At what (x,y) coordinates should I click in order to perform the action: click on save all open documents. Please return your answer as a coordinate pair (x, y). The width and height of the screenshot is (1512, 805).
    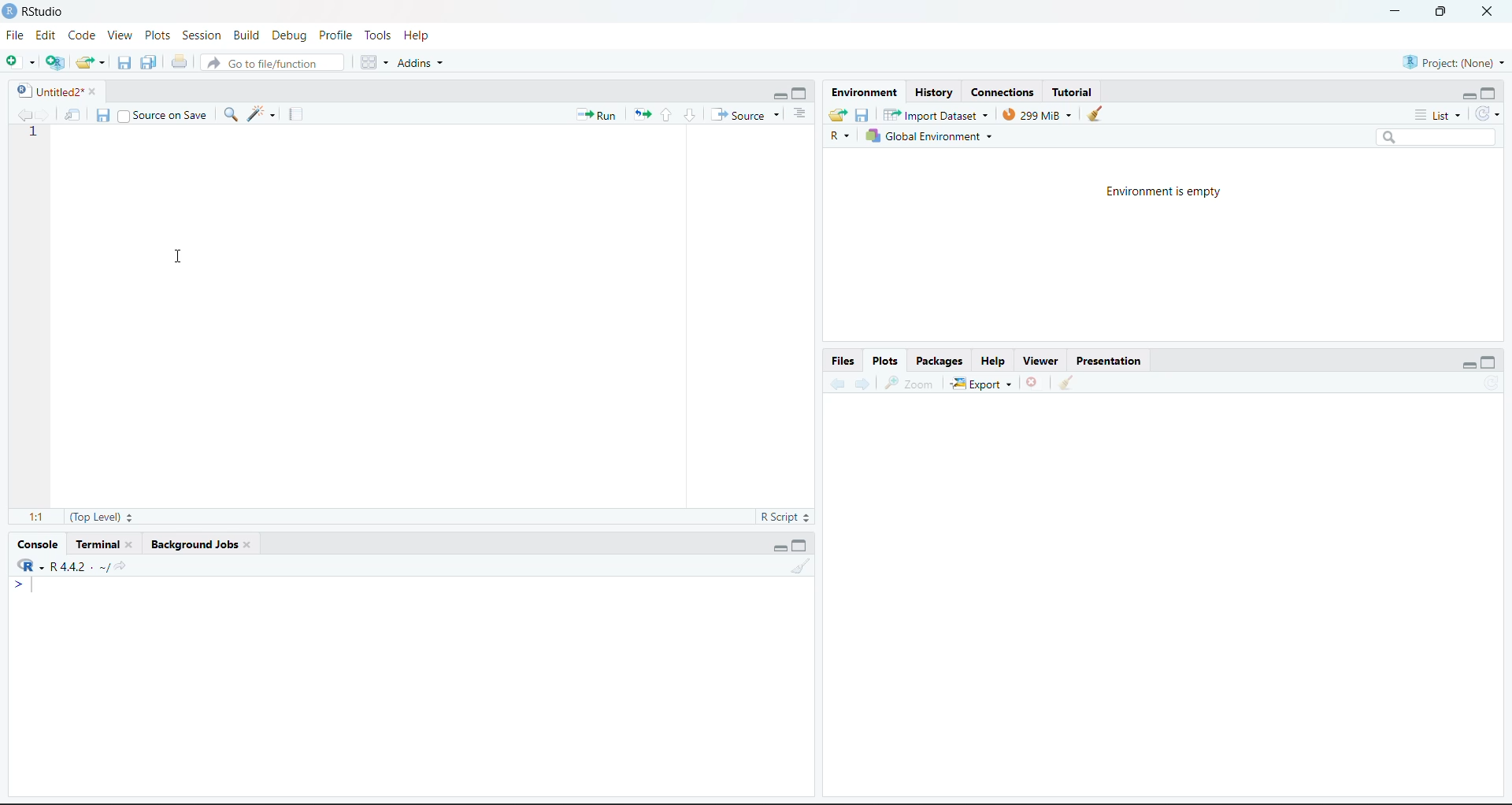
    Looking at the image, I should click on (148, 61).